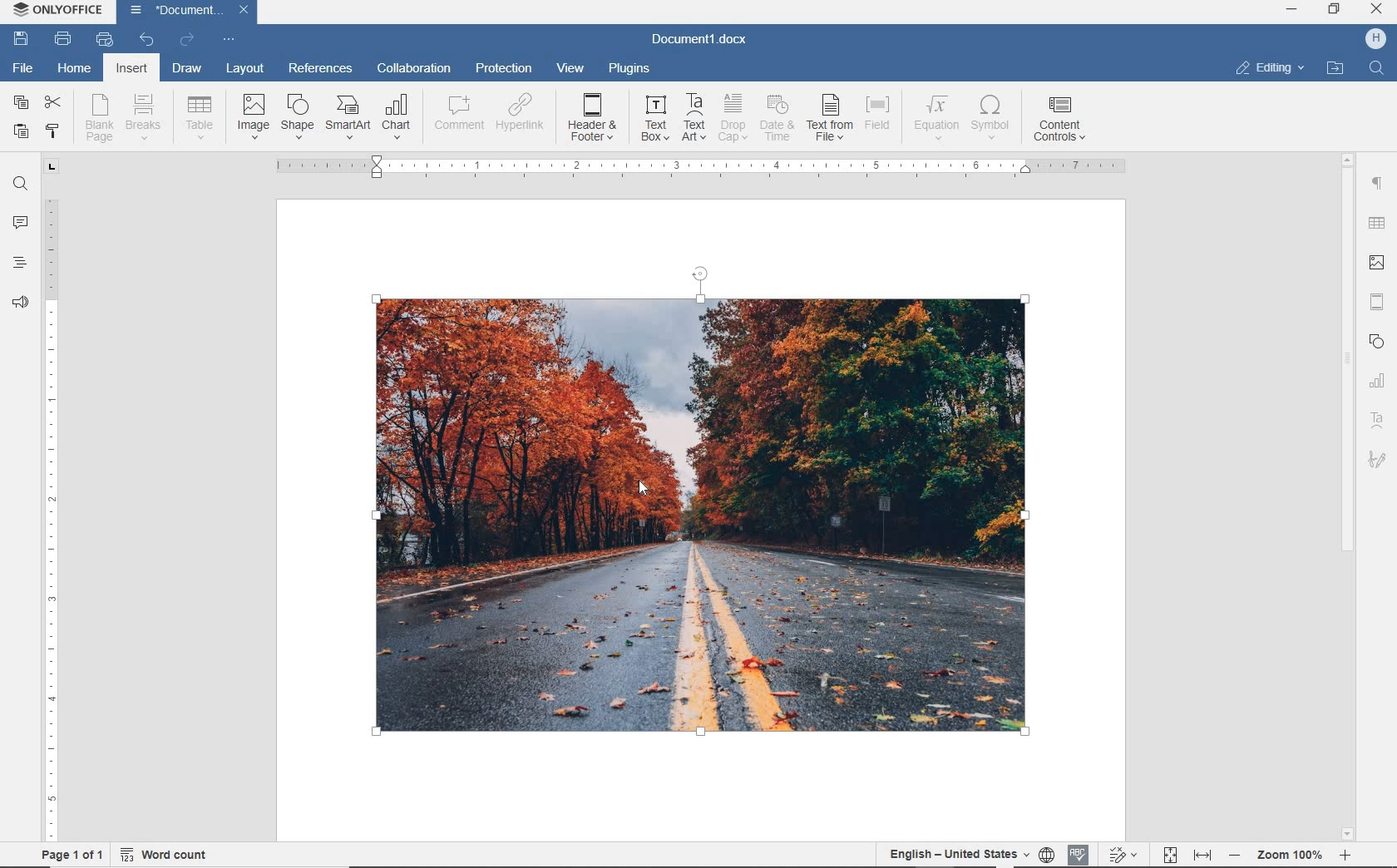  I want to click on image added from an URL., so click(701, 530).